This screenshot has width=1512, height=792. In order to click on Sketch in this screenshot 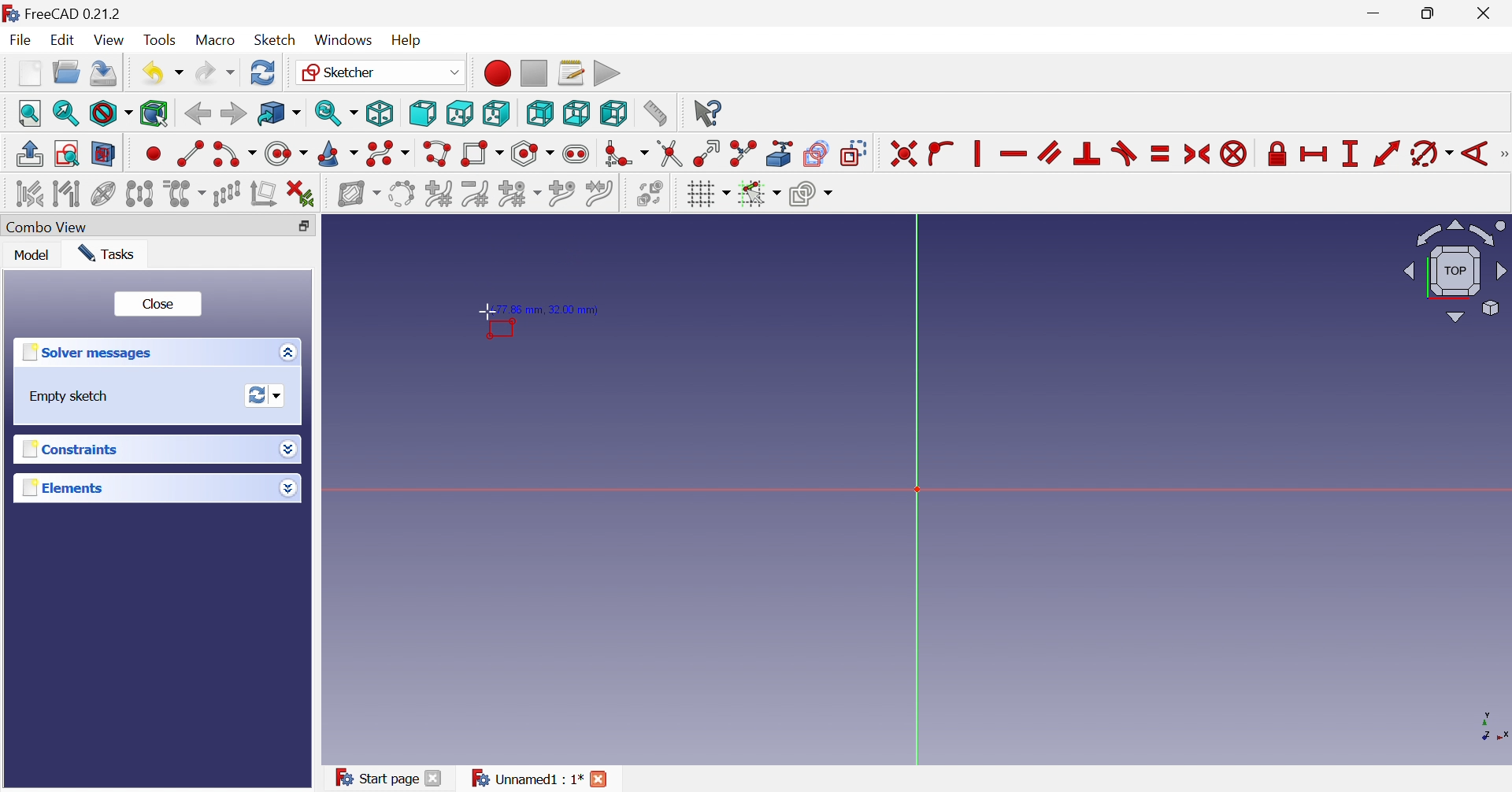, I will do `click(275, 40)`.